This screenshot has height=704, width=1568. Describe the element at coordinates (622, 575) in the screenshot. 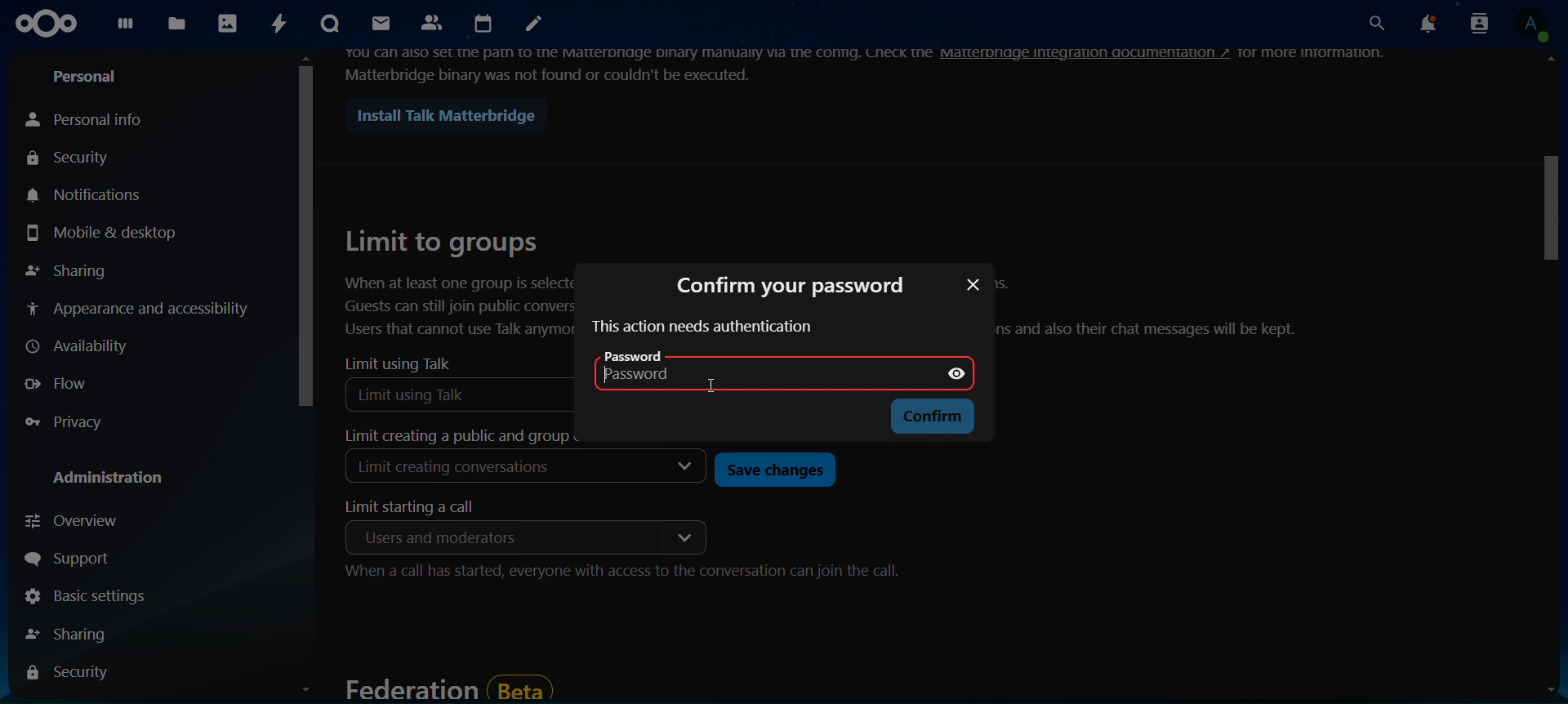

I see `When a call has started, everyone with access to the conversation can join the call.` at that location.